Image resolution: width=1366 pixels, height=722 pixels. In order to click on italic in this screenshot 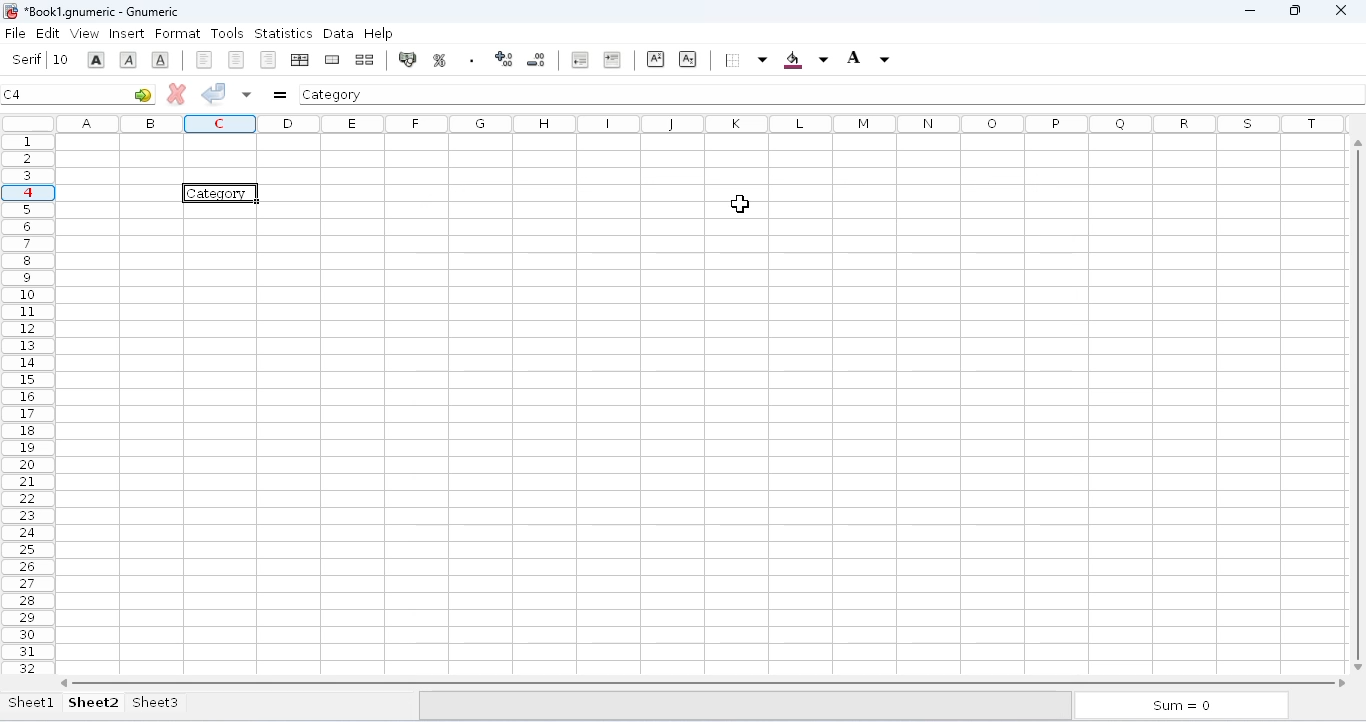, I will do `click(162, 60)`.